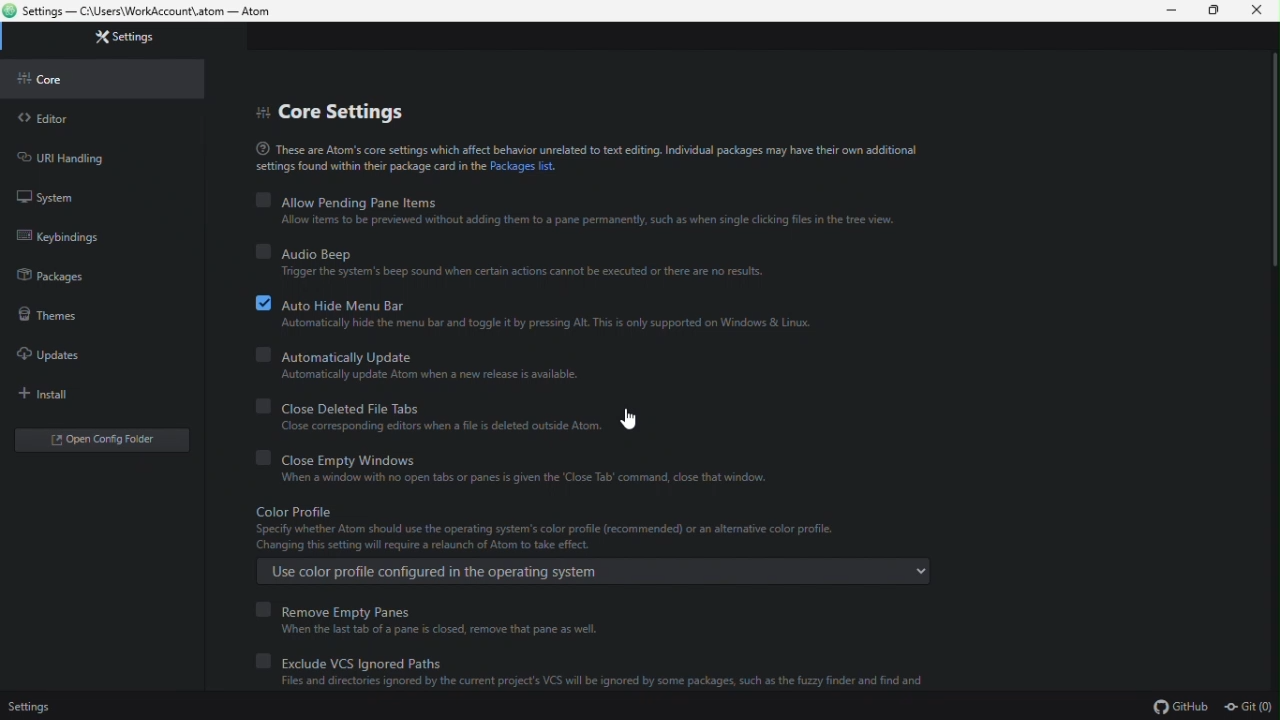 The image size is (1280, 720). I want to click on Settings - C:/Users/WorkAccount\atom - Atom, so click(144, 12).